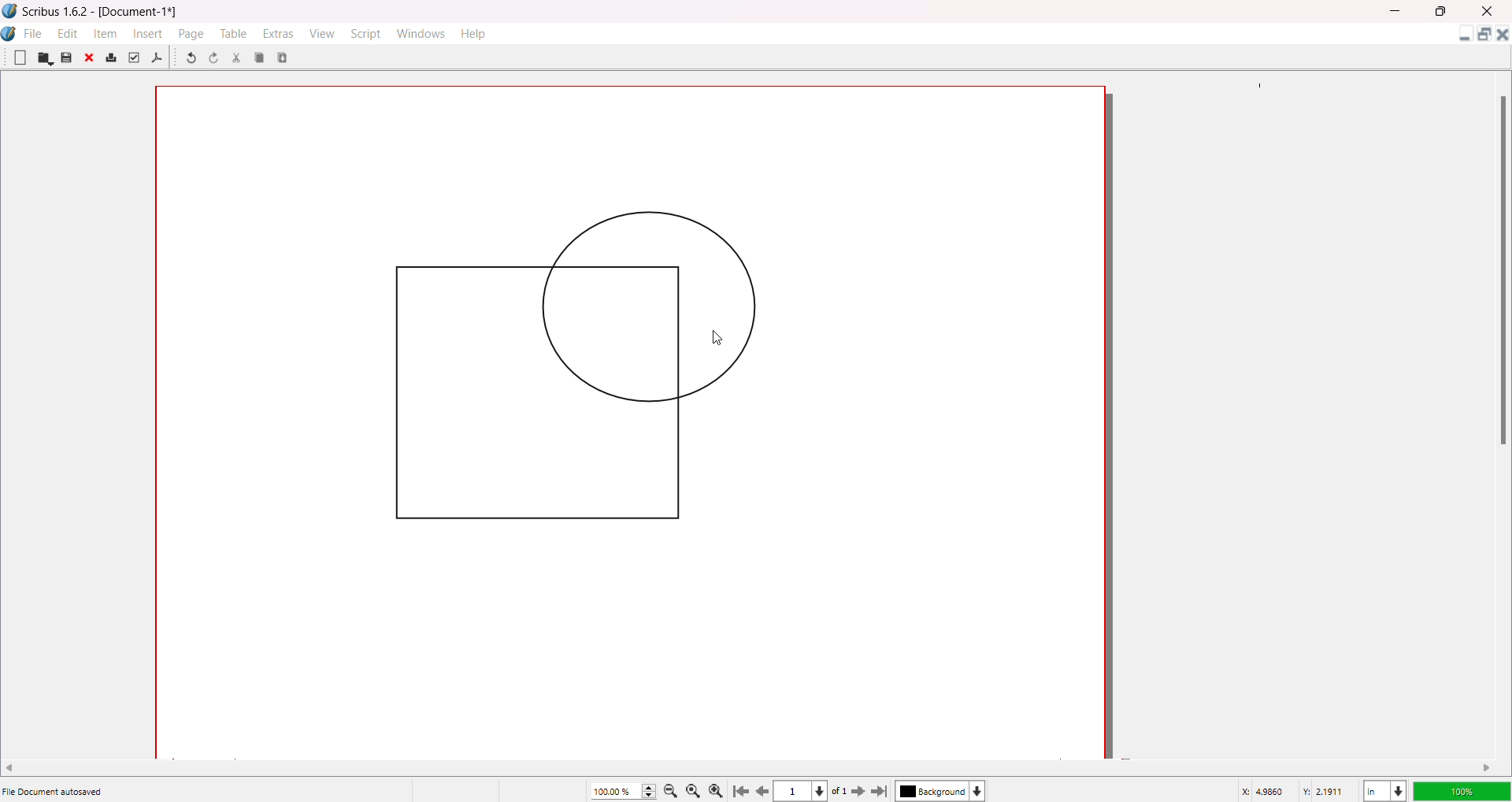 The width and height of the screenshot is (1512, 802). What do you see at coordinates (10, 11) in the screenshot?
I see `Logo` at bounding box center [10, 11].